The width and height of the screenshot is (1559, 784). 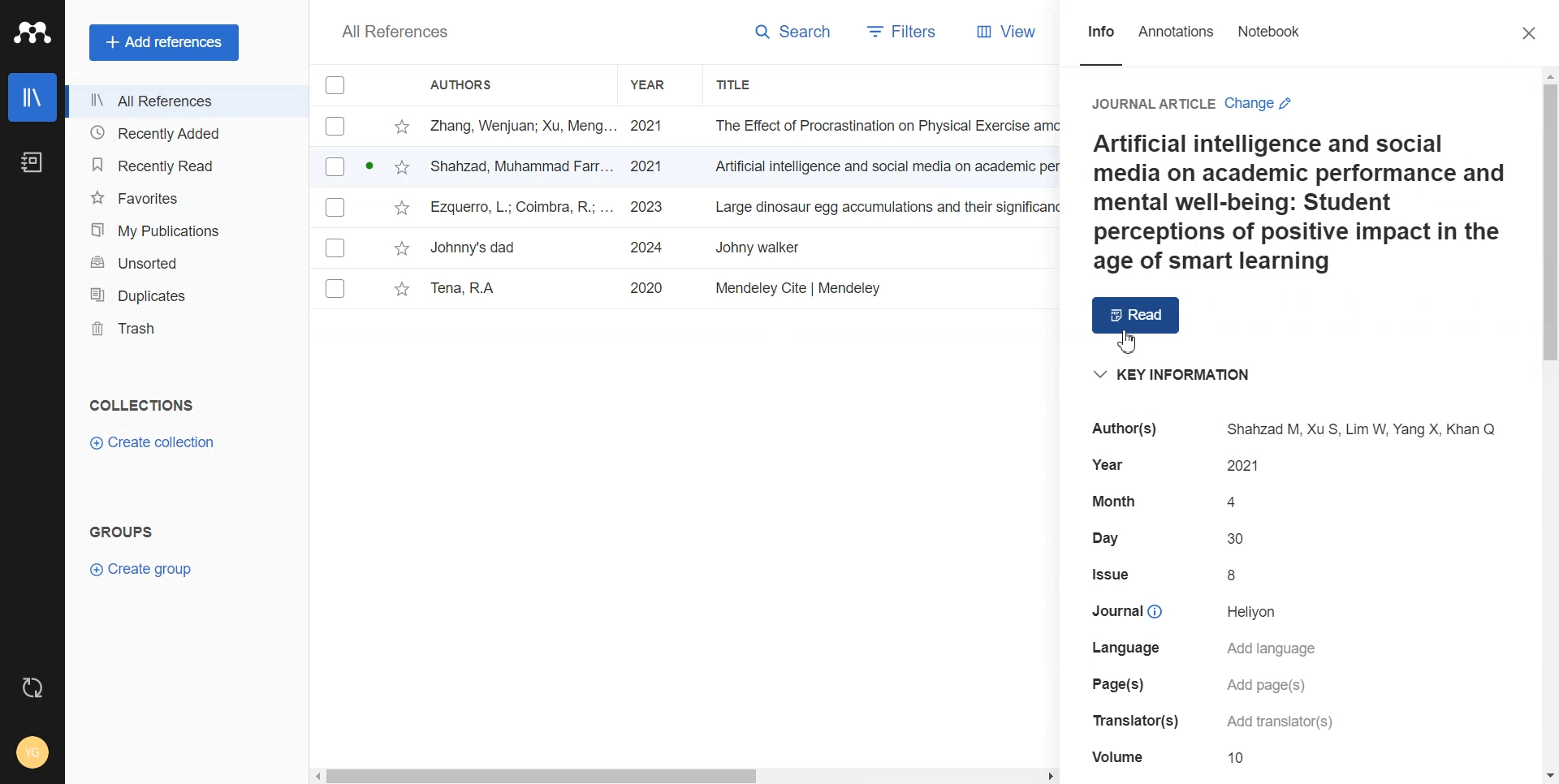 I want to click on Recently Added, so click(x=184, y=134).